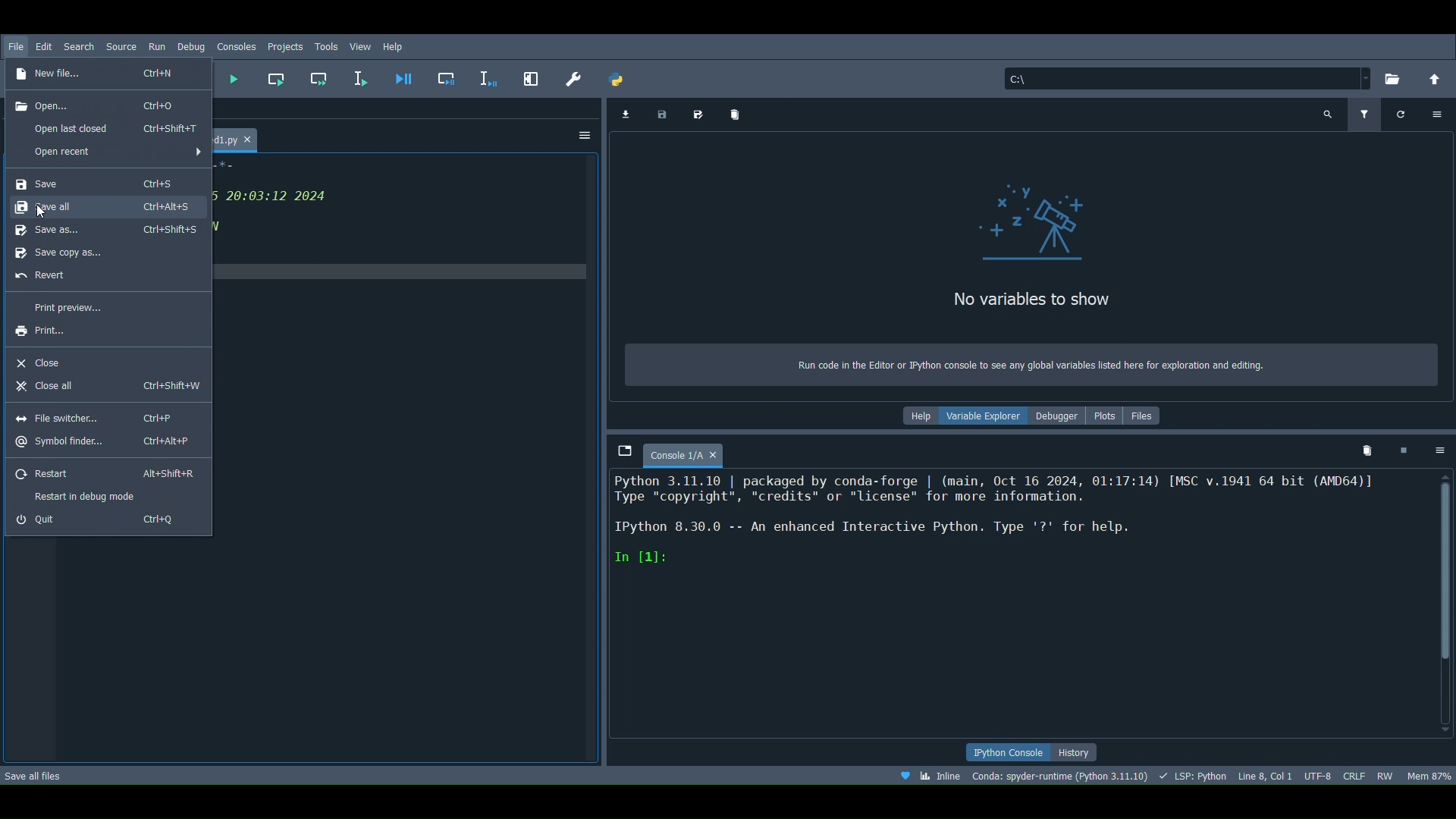  I want to click on Print, so click(96, 331).